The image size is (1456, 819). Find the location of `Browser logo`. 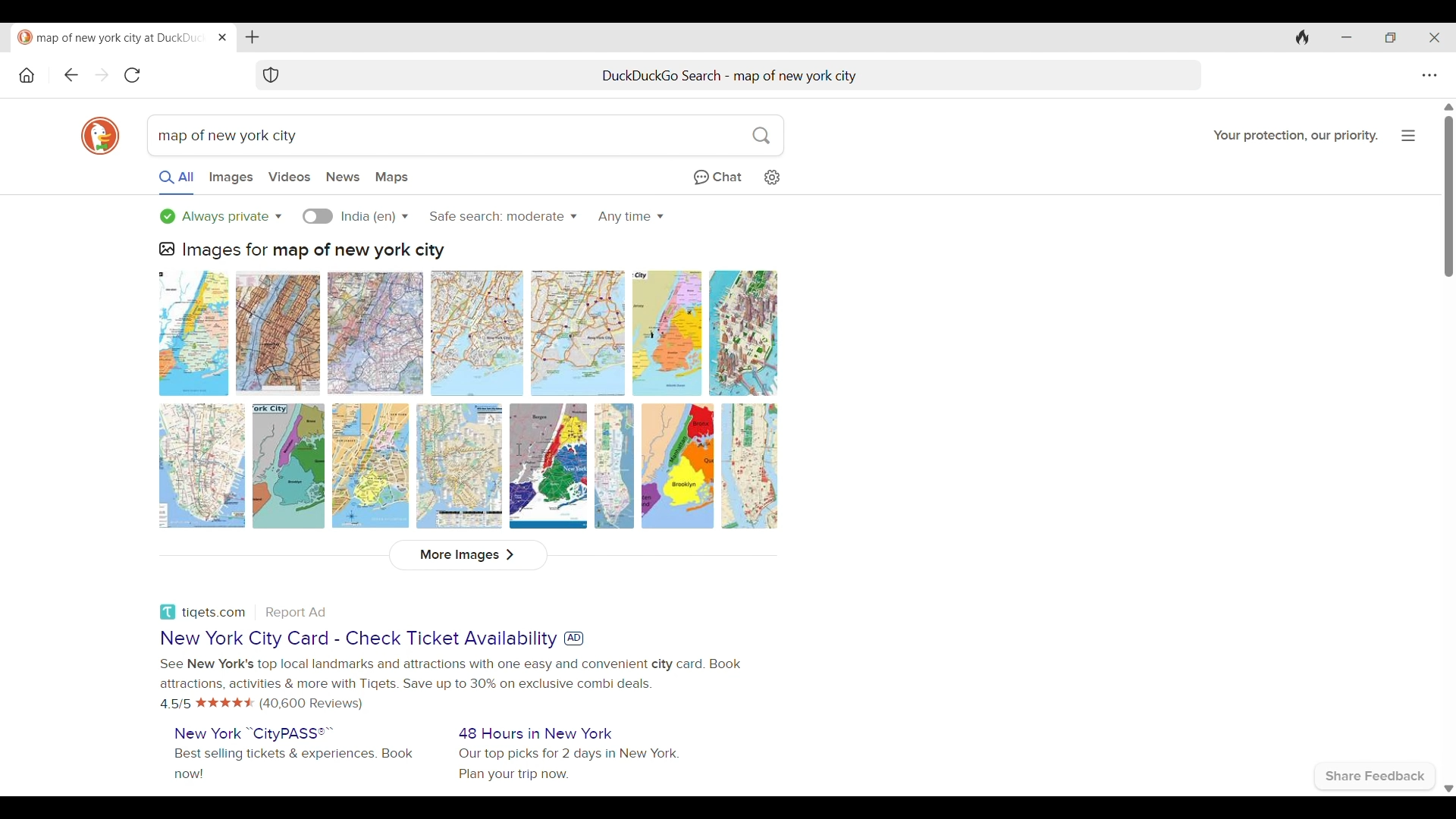

Browser logo is located at coordinates (100, 136).